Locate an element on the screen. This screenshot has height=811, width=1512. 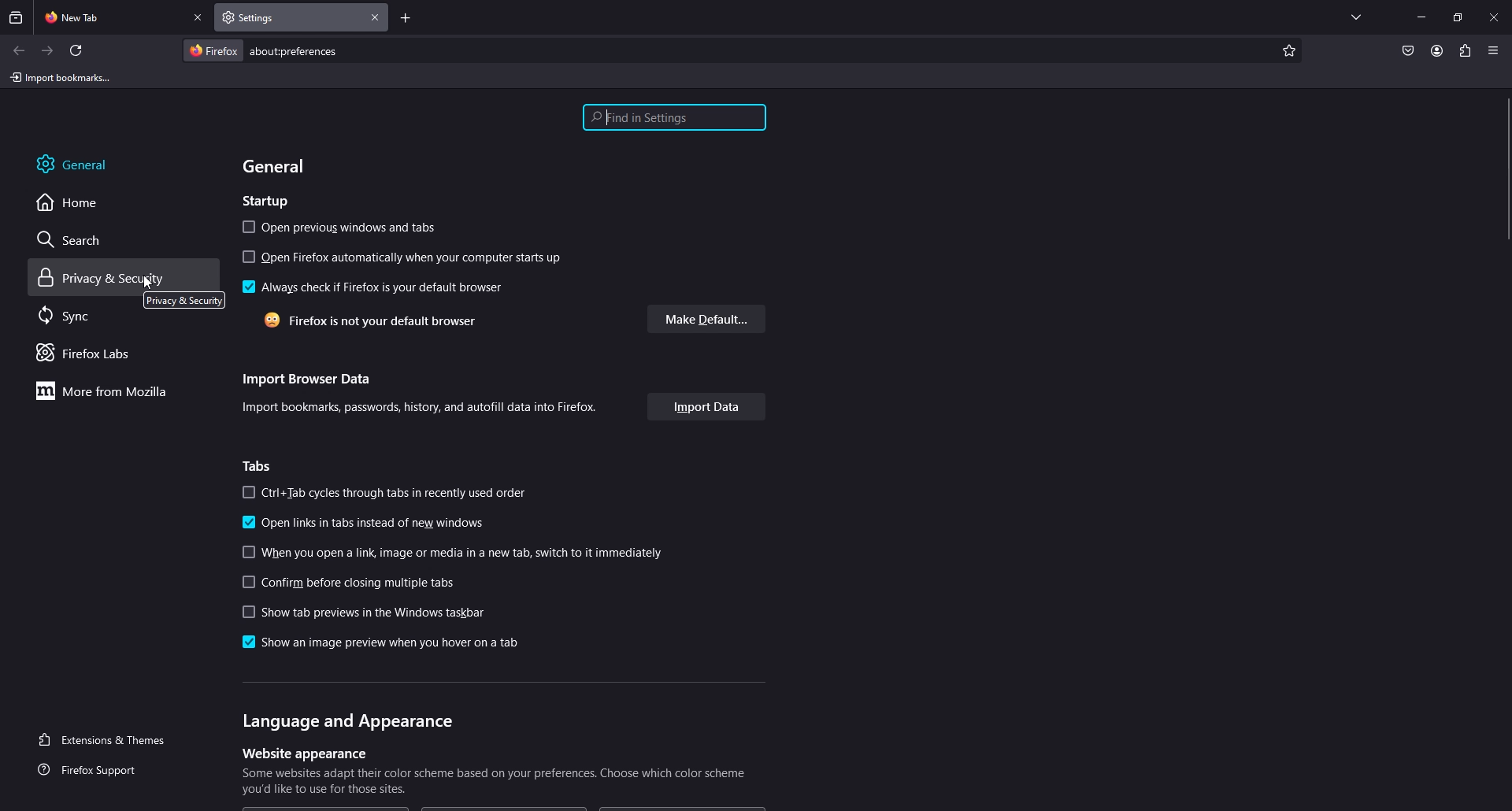
refresh is located at coordinates (76, 50).